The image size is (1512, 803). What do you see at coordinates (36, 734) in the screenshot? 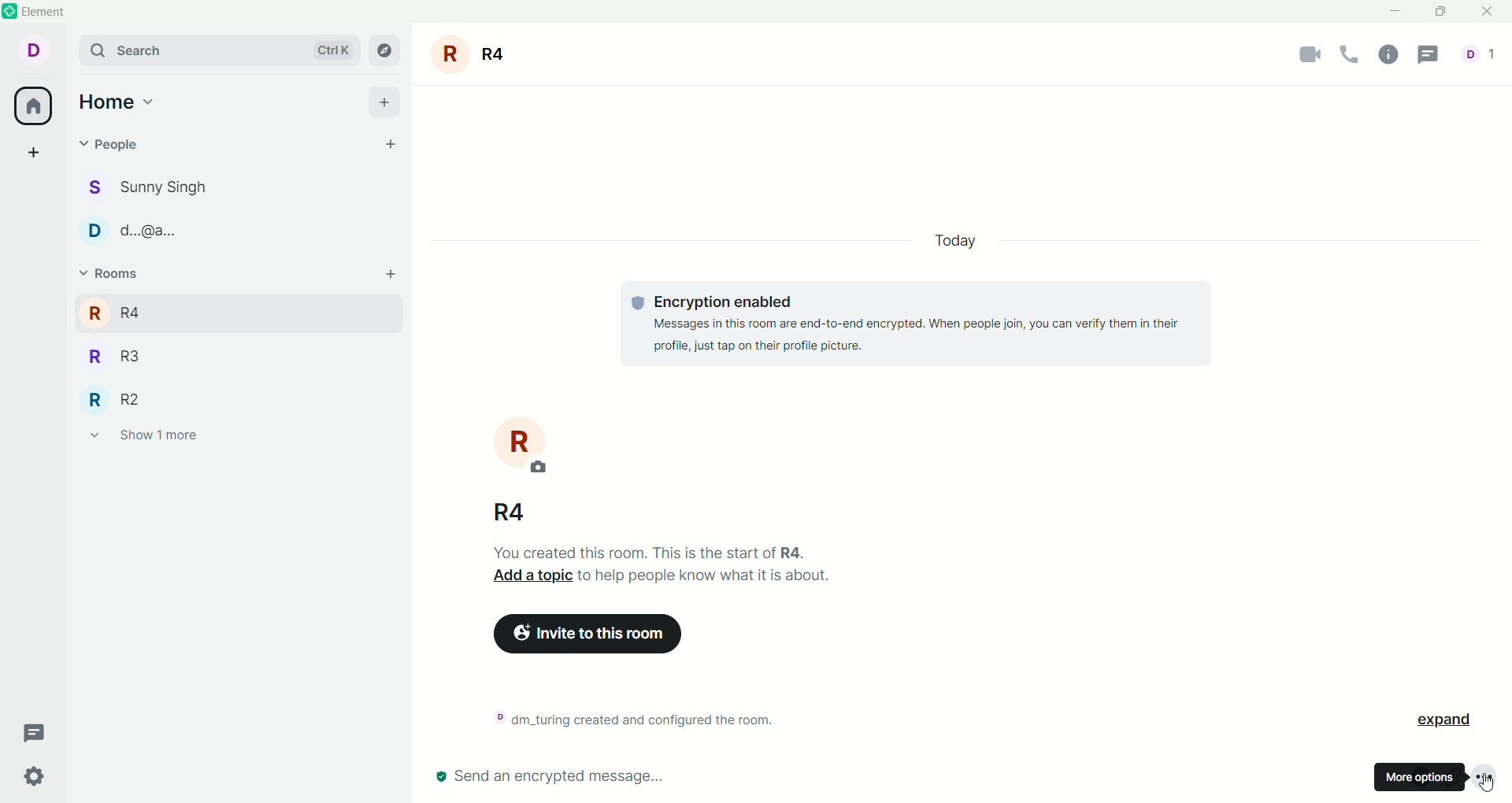
I see `threads` at bounding box center [36, 734].